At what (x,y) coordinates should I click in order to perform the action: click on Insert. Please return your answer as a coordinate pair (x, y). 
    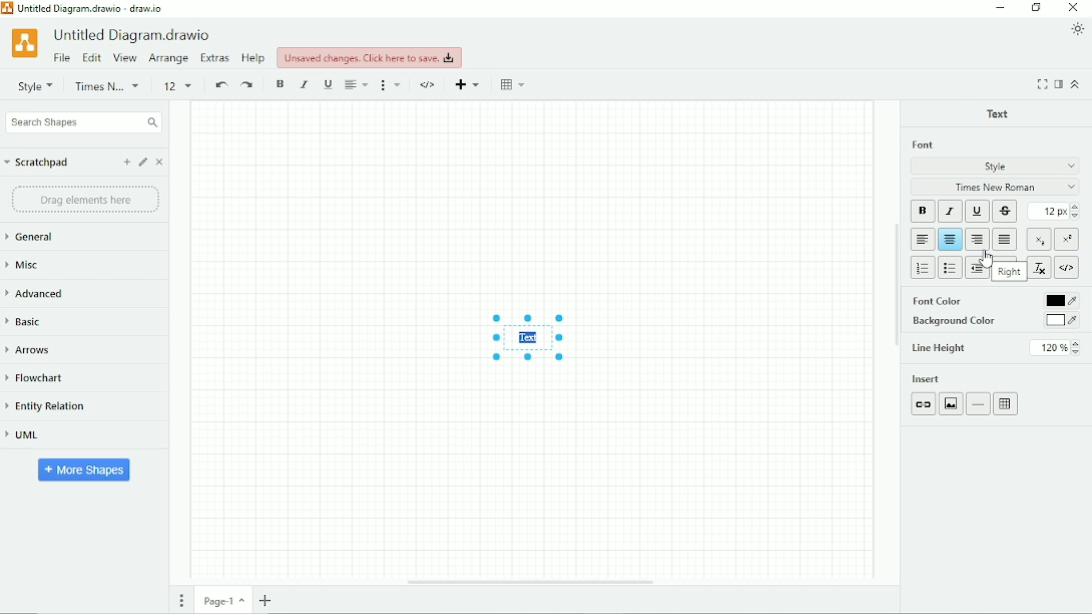
    Looking at the image, I should click on (466, 83).